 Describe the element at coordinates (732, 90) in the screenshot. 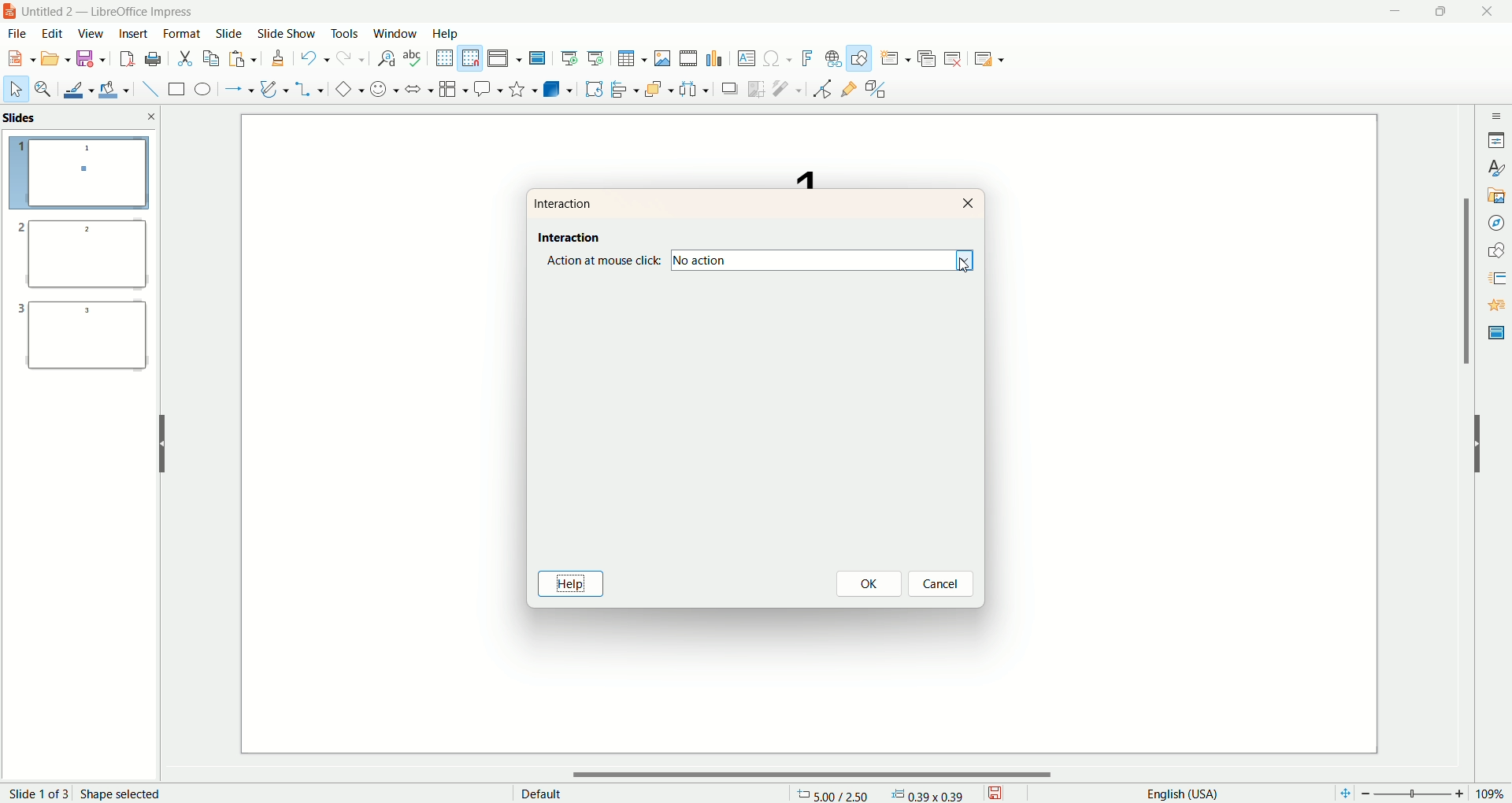

I see `shadow` at that location.